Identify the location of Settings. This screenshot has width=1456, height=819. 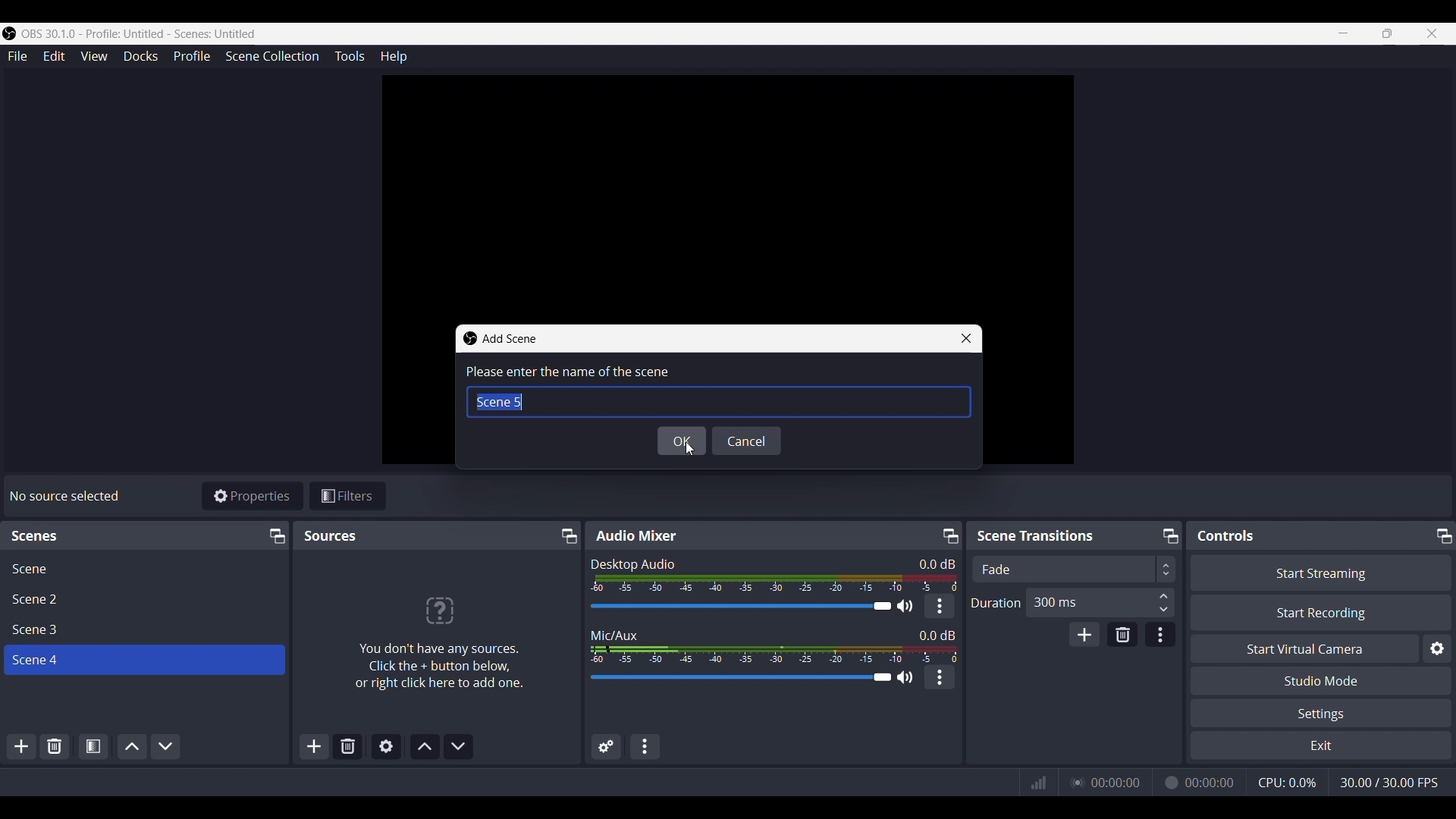
(1323, 713).